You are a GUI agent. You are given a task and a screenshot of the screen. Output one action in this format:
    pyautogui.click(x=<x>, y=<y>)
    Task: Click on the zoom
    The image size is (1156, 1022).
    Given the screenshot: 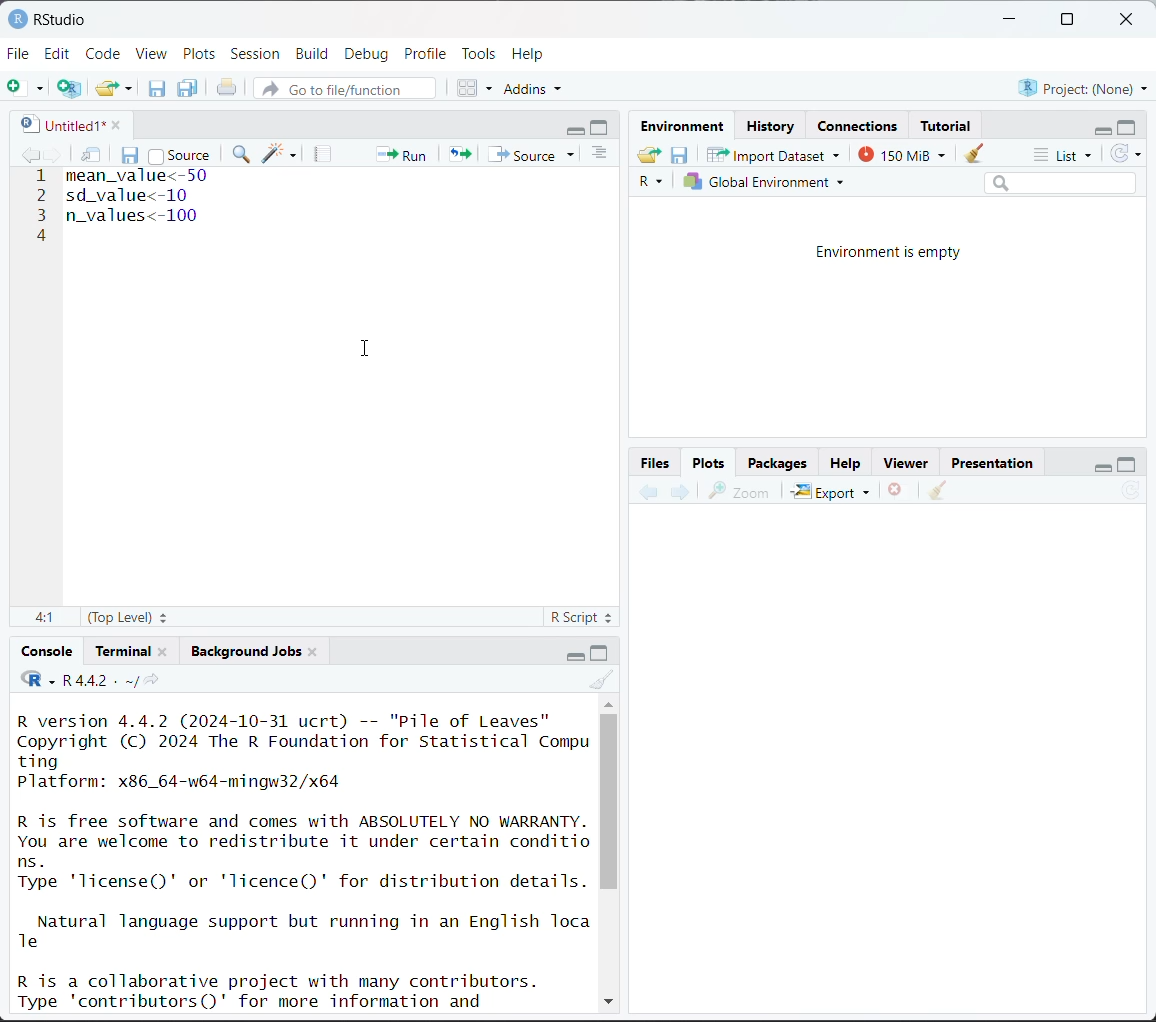 What is the action you would take?
    pyautogui.click(x=739, y=491)
    